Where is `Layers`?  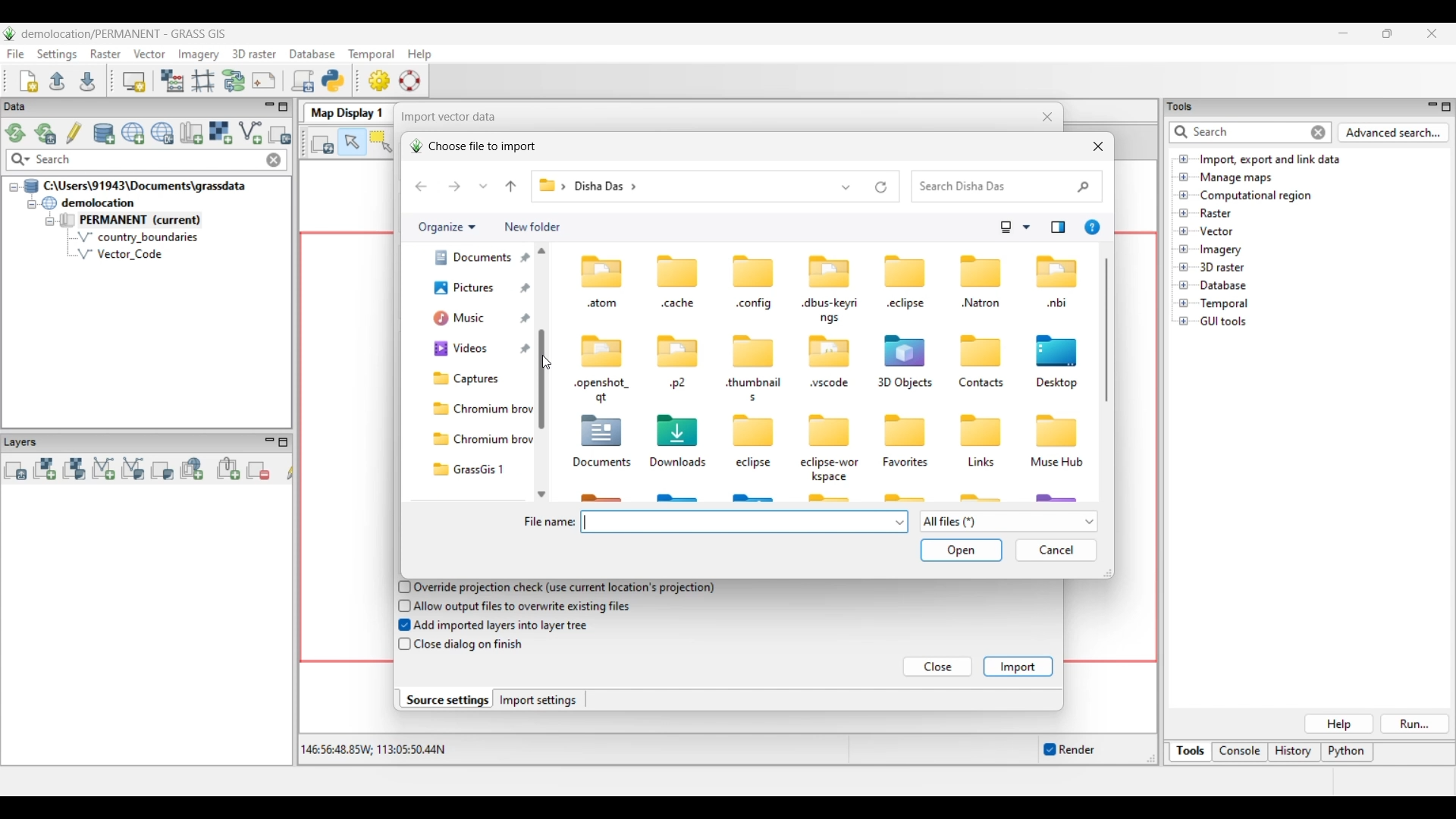
Layers is located at coordinates (24, 441).